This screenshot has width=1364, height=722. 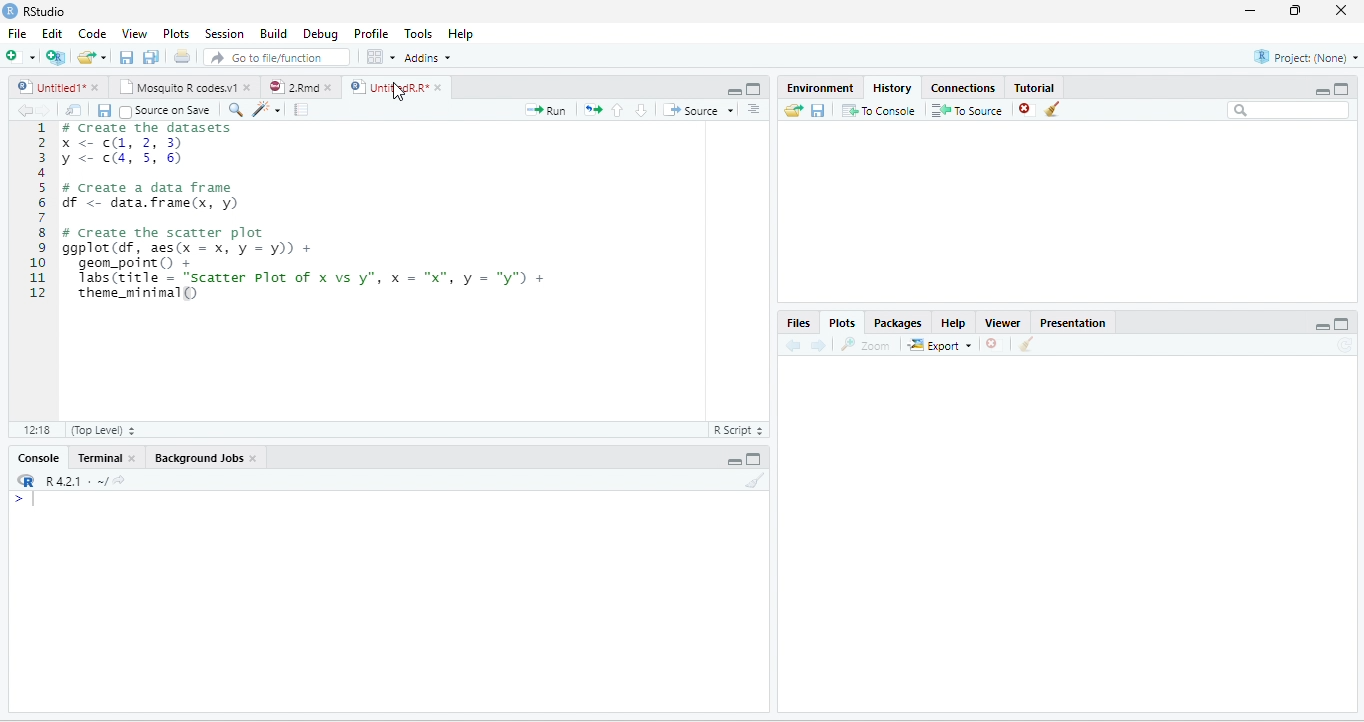 I want to click on cursor, so click(x=399, y=91).